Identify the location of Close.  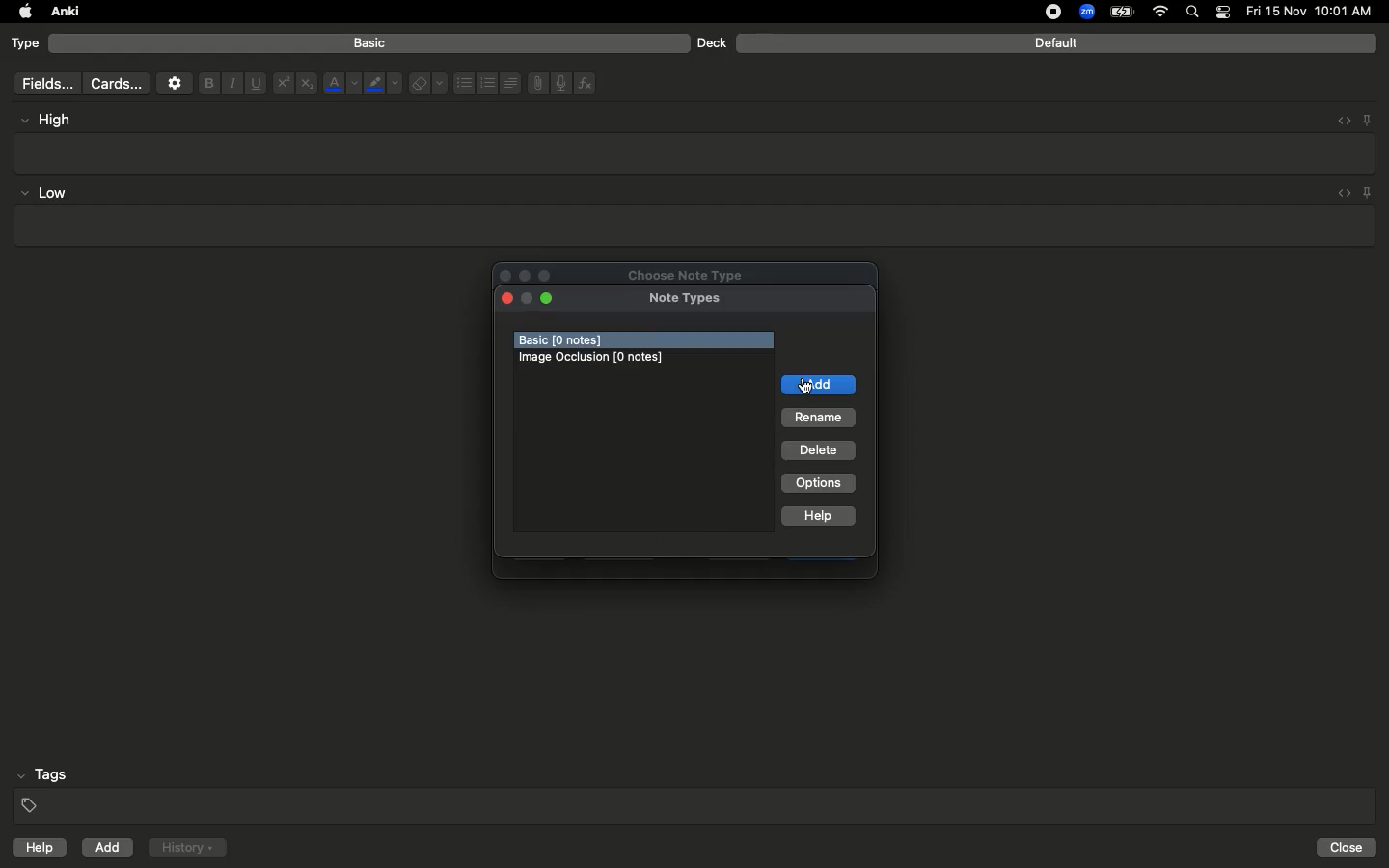
(1349, 848).